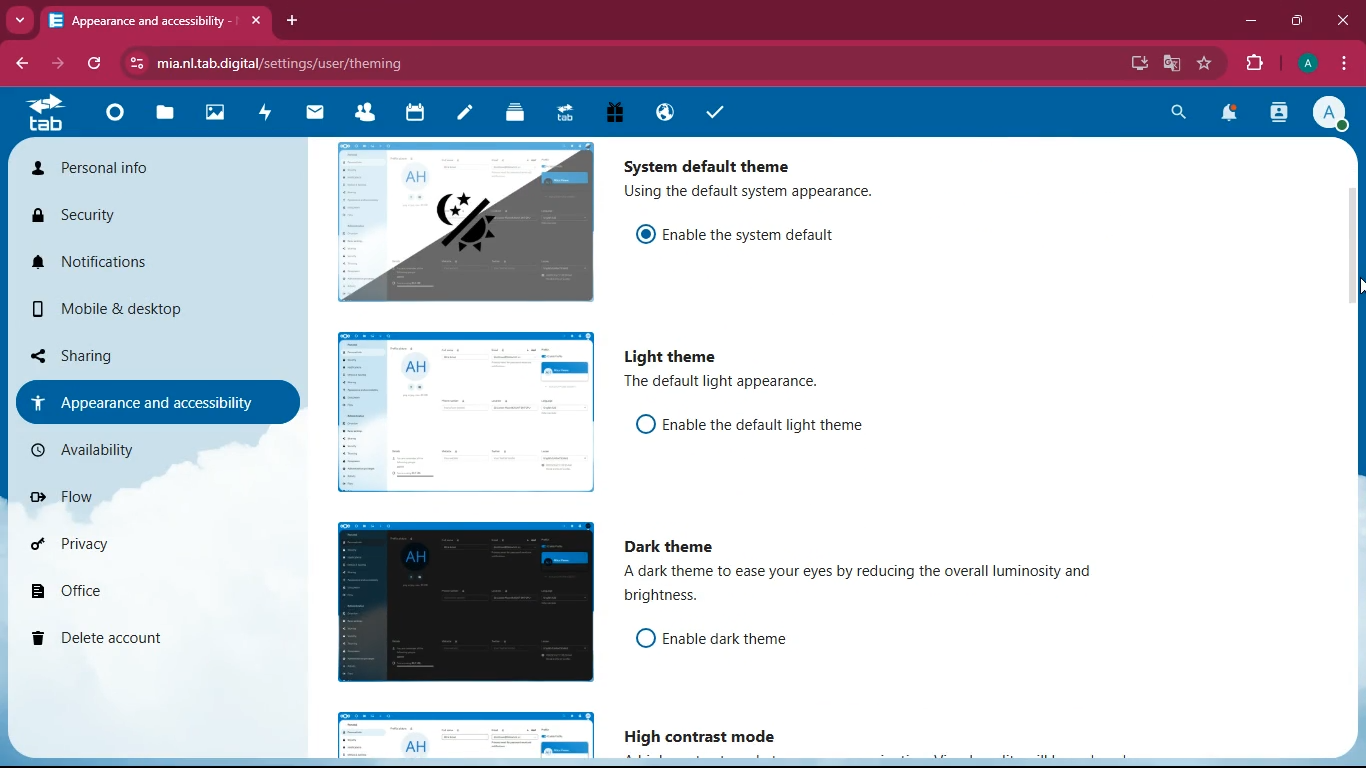 This screenshot has height=768, width=1366. What do you see at coordinates (1174, 112) in the screenshot?
I see `search` at bounding box center [1174, 112].